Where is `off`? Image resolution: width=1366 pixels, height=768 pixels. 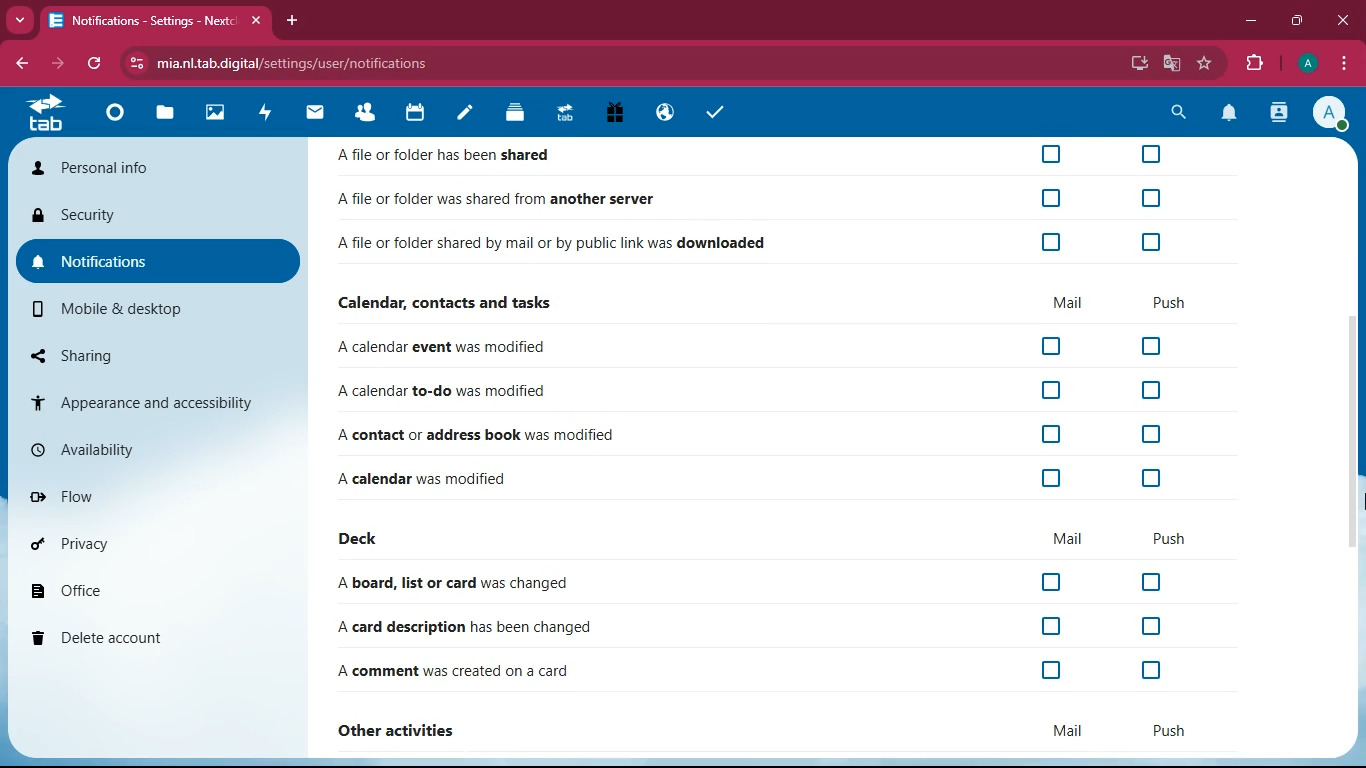
off is located at coordinates (1054, 195).